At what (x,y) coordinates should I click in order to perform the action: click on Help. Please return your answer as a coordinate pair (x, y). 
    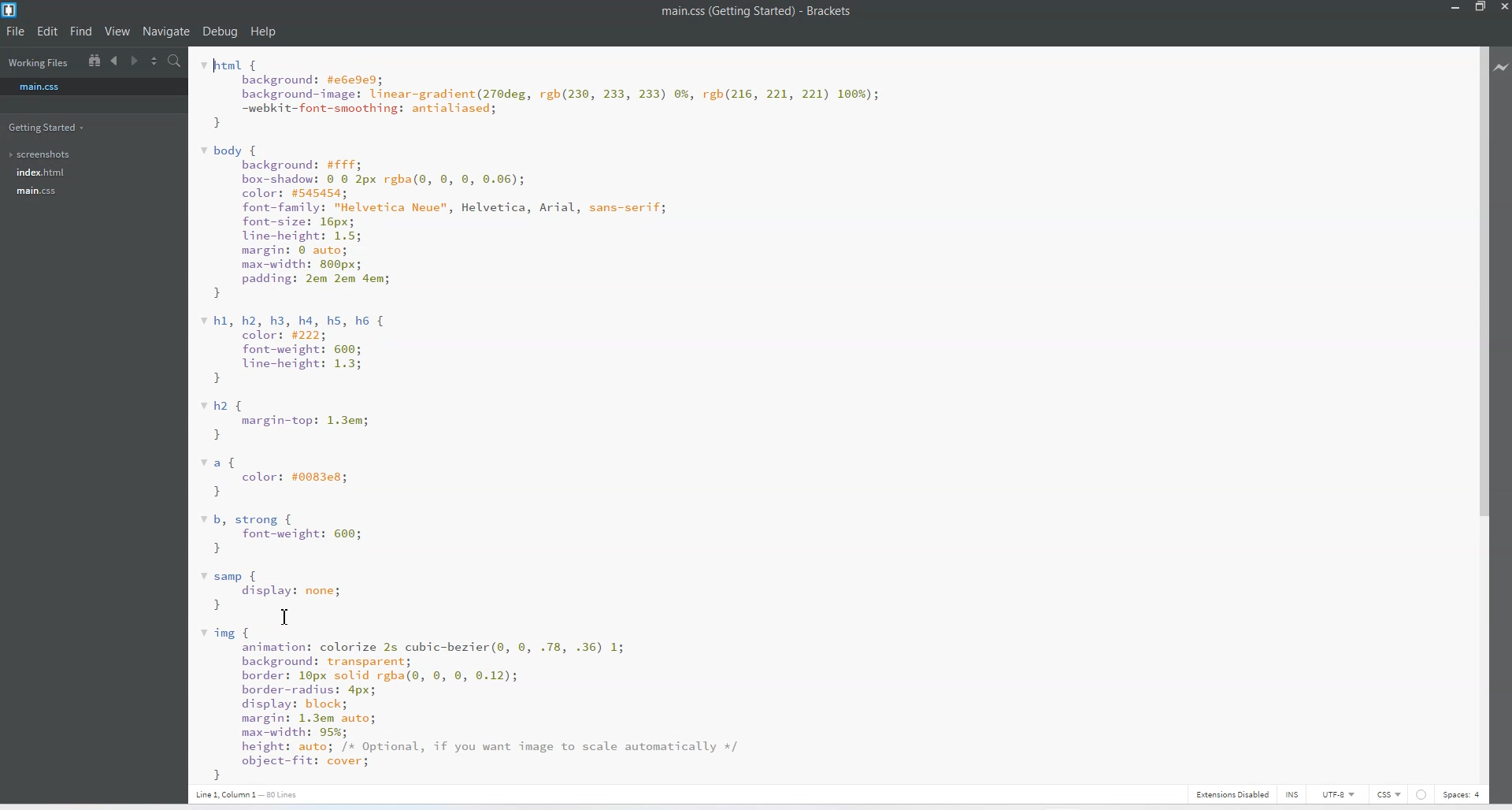
    Looking at the image, I should click on (262, 32).